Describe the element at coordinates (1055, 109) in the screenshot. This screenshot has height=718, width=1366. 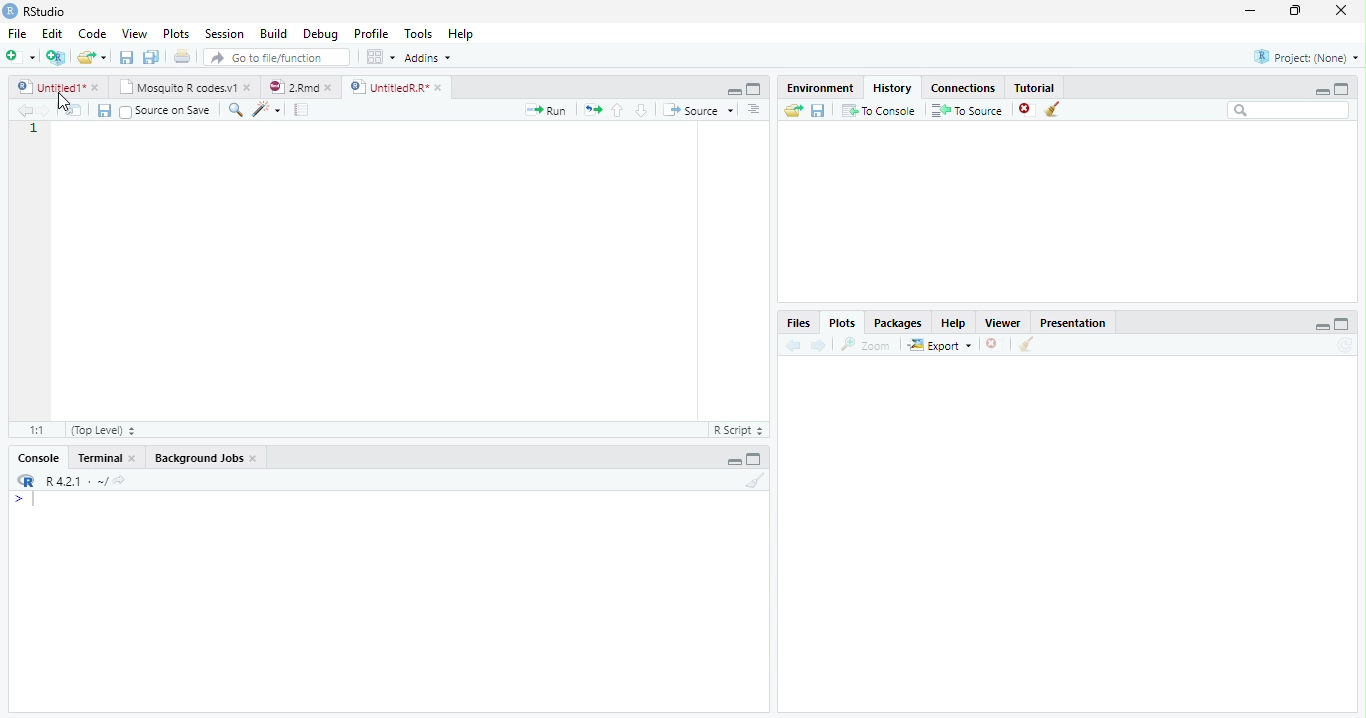
I see `Clear all history entries` at that location.